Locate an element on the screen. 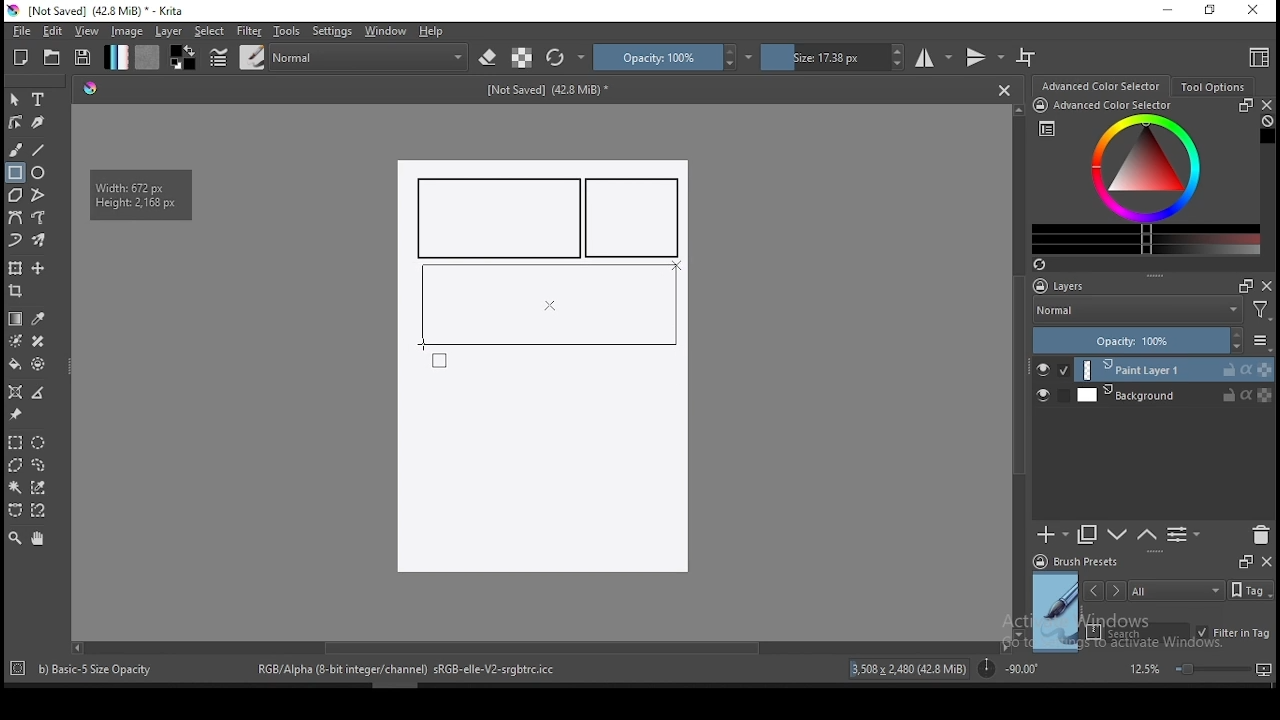  preview is located at coordinates (1056, 612).